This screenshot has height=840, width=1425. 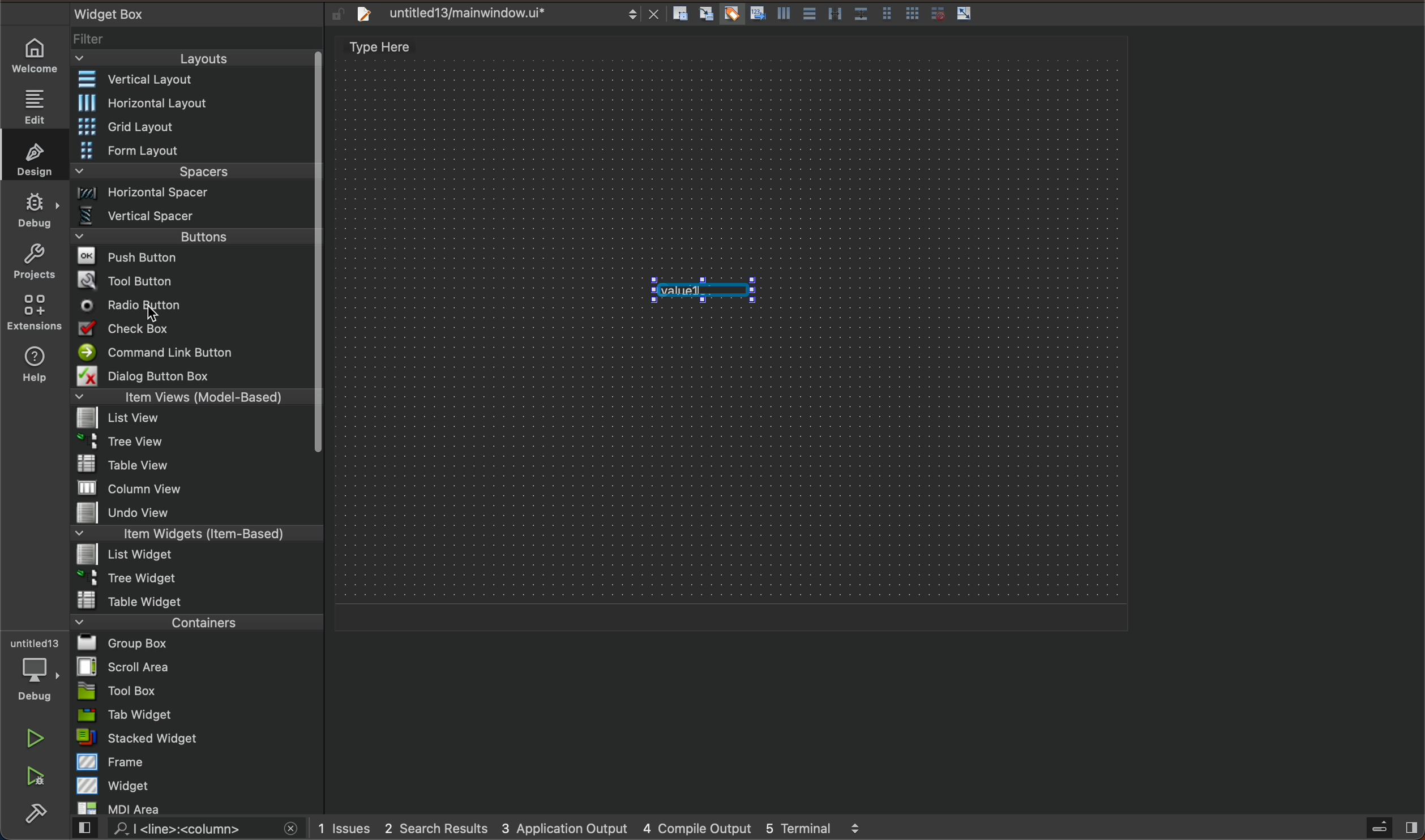 I want to click on item widget, so click(x=194, y=536).